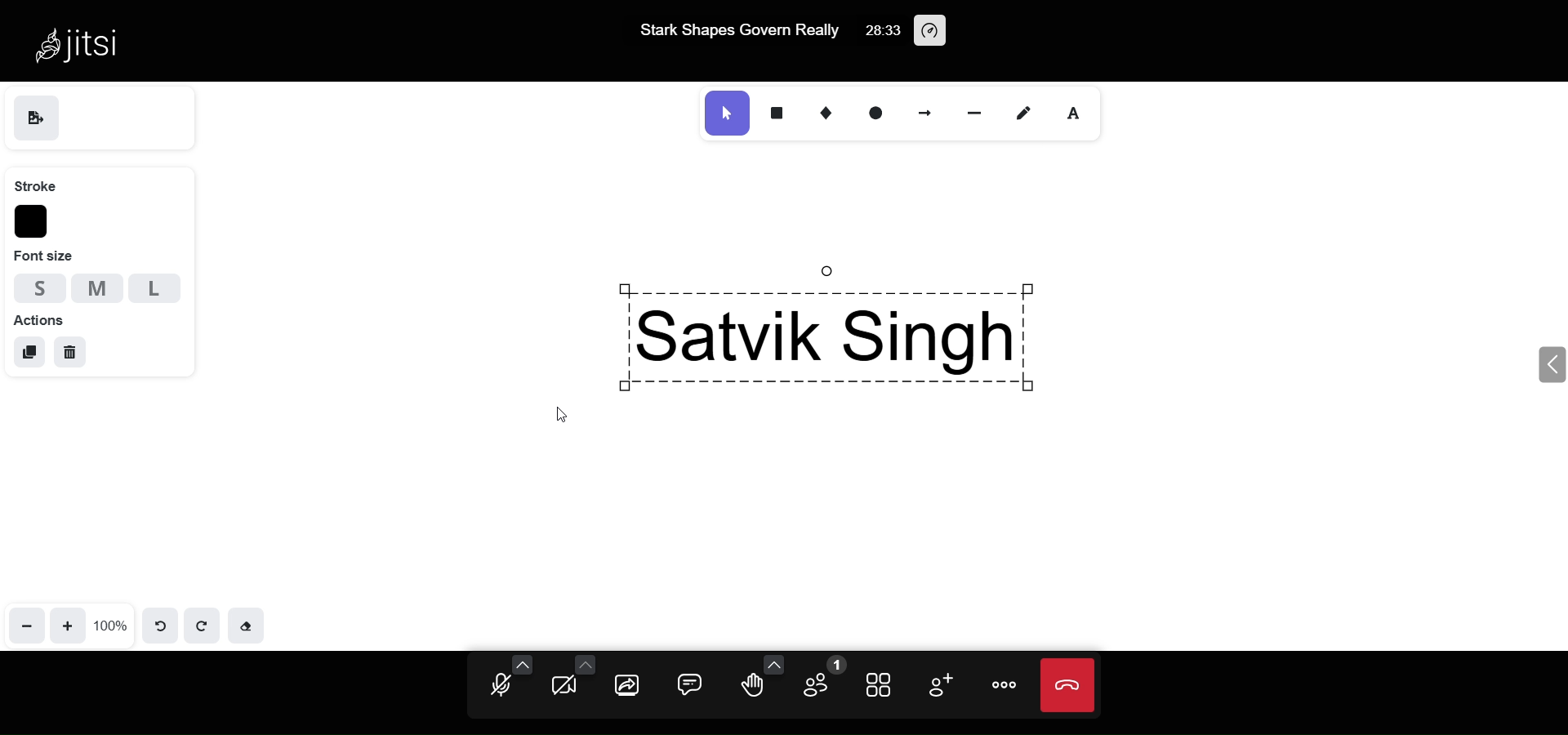 Image resolution: width=1568 pixels, height=735 pixels. I want to click on more emoji, so click(773, 662).